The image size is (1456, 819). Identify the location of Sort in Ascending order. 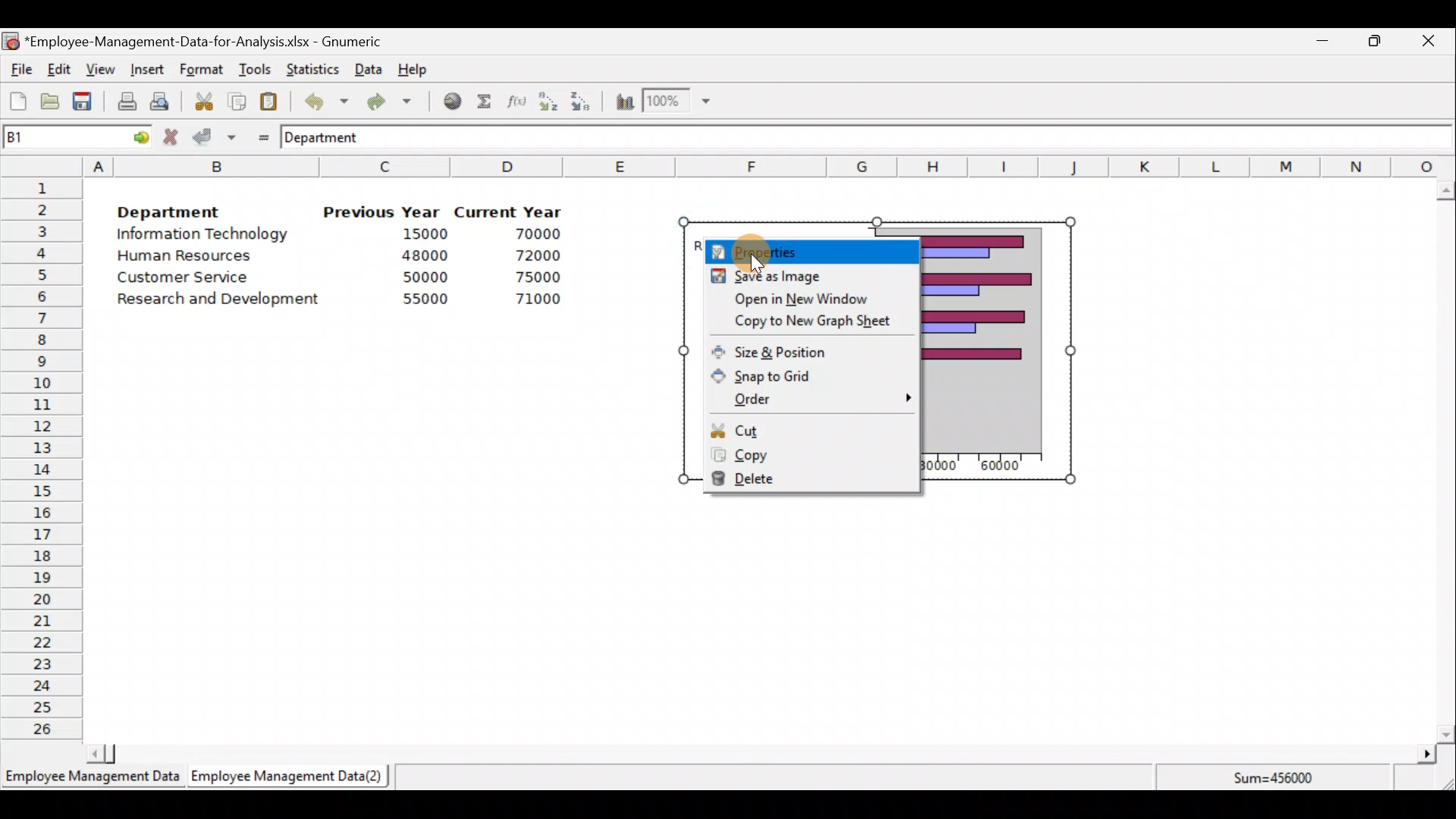
(548, 101).